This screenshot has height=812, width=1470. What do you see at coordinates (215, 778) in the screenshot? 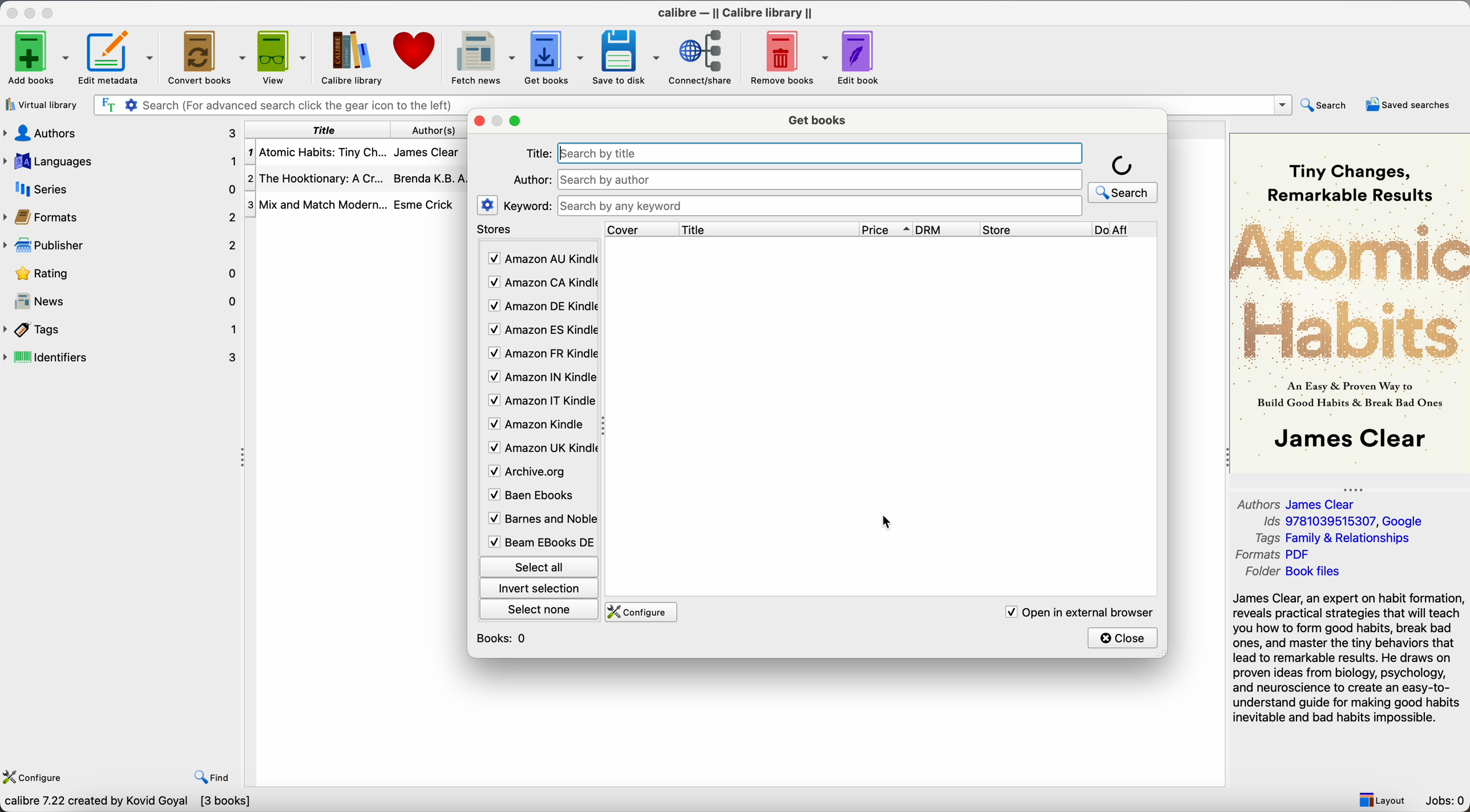
I see `find` at bounding box center [215, 778].